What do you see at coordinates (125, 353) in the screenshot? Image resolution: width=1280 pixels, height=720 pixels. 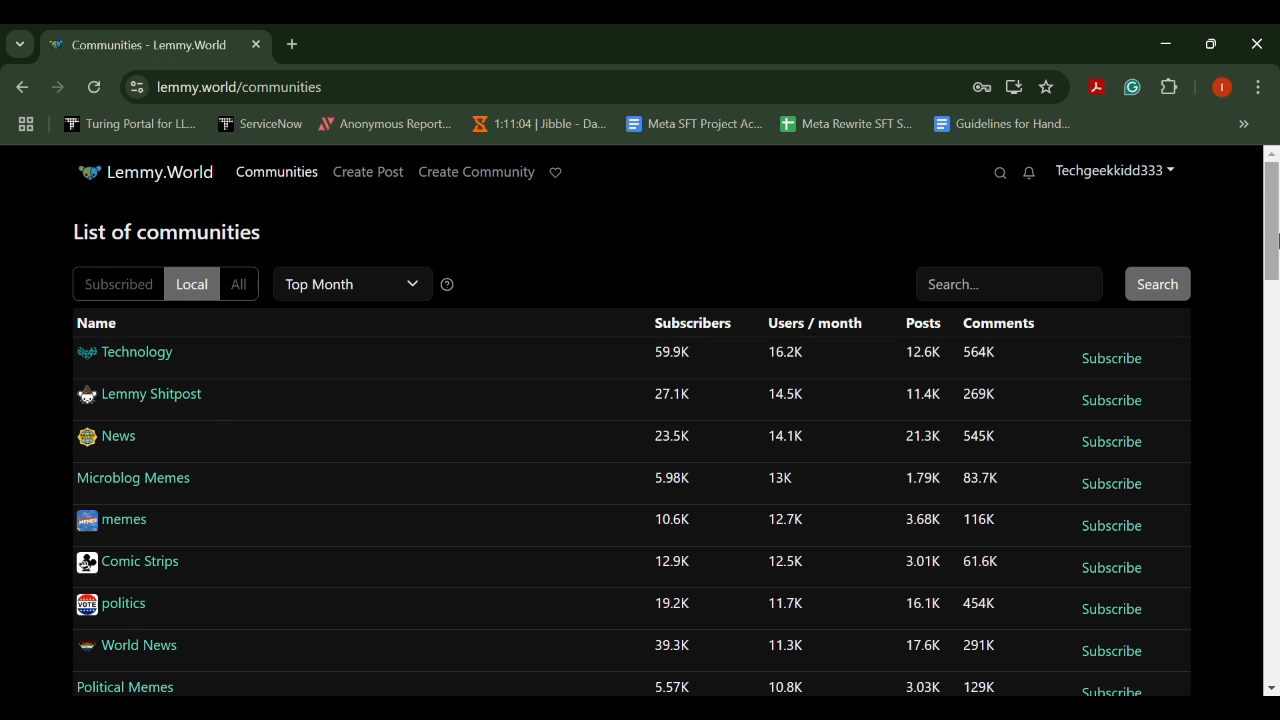 I see `Technology` at bounding box center [125, 353].